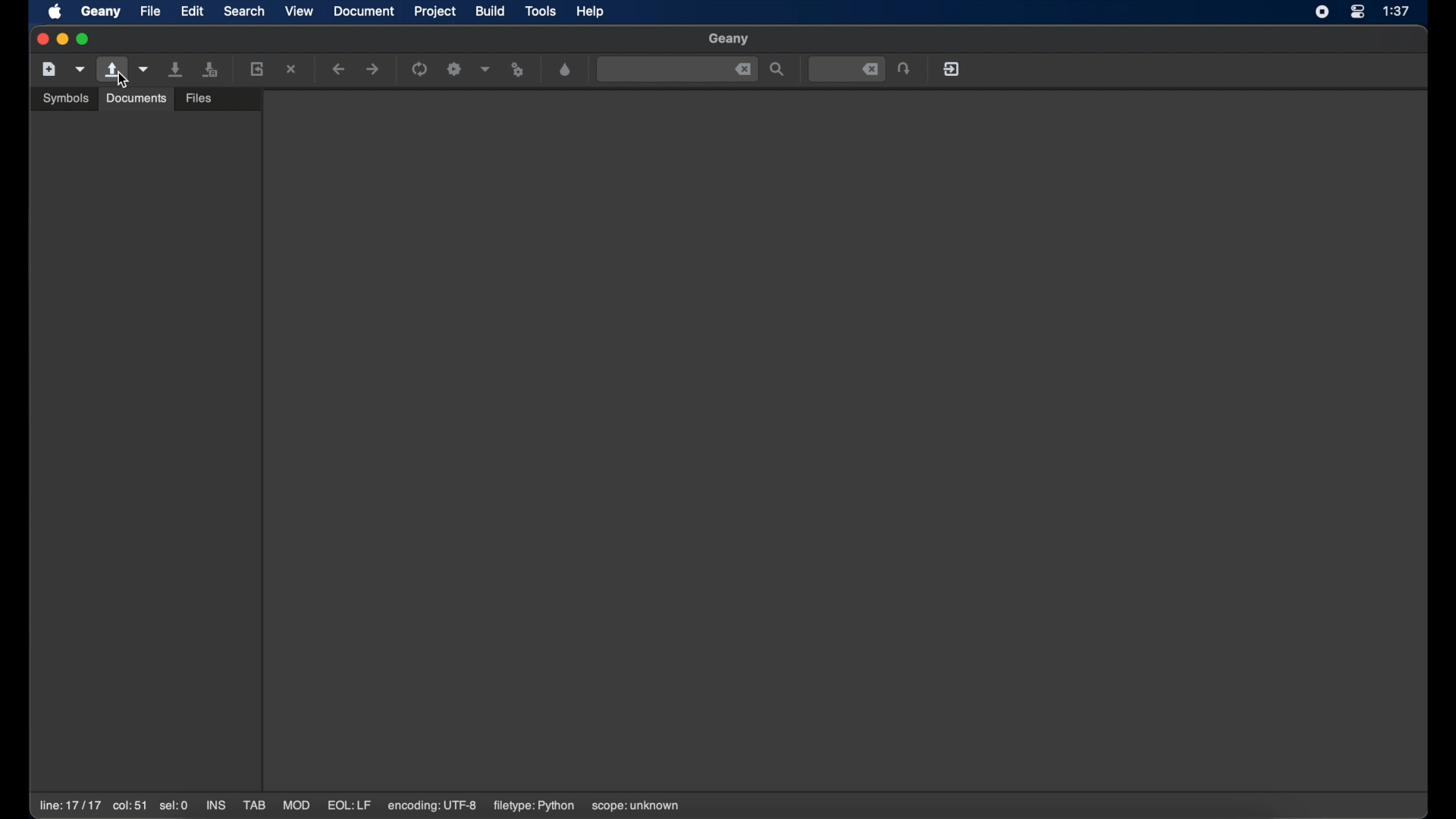 The height and width of the screenshot is (819, 1456). Describe the element at coordinates (340, 69) in the screenshot. I see `navigate back a location` at that location.